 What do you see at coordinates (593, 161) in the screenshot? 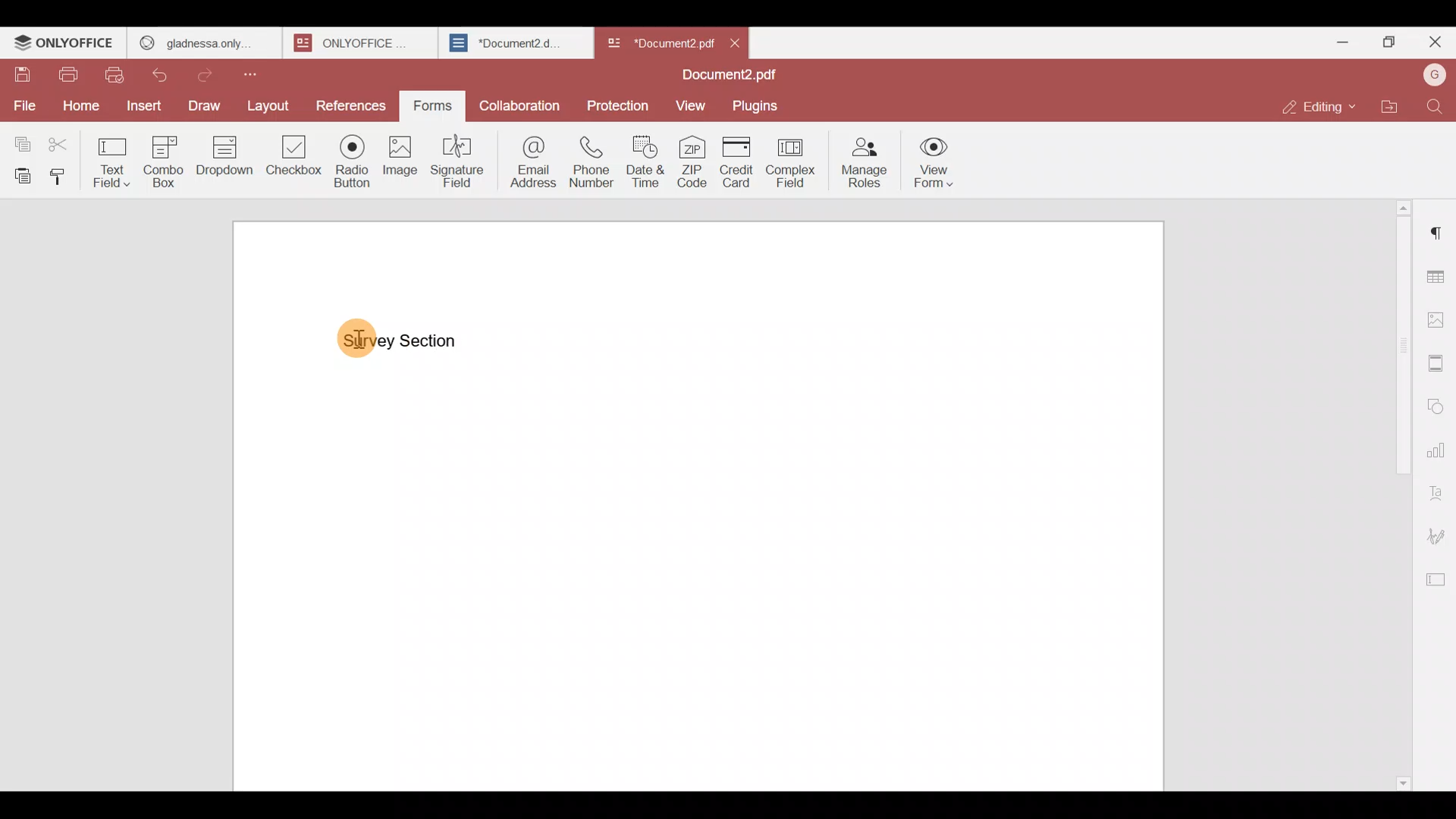
I see `Phone number` at bounding box center [593, 161].